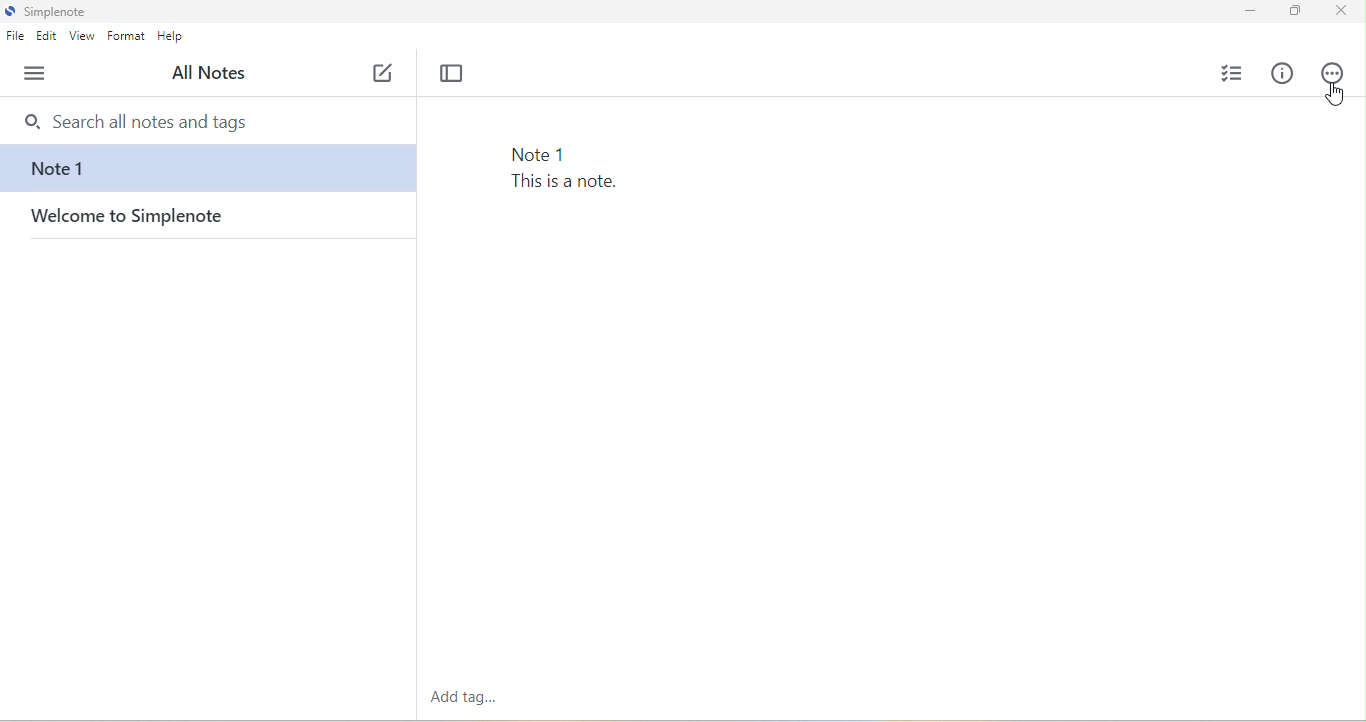 The image size is (1366, 722). Describe the element at coordinates (9, 13) in the screenshot. I see `simplenote logo` at that location.